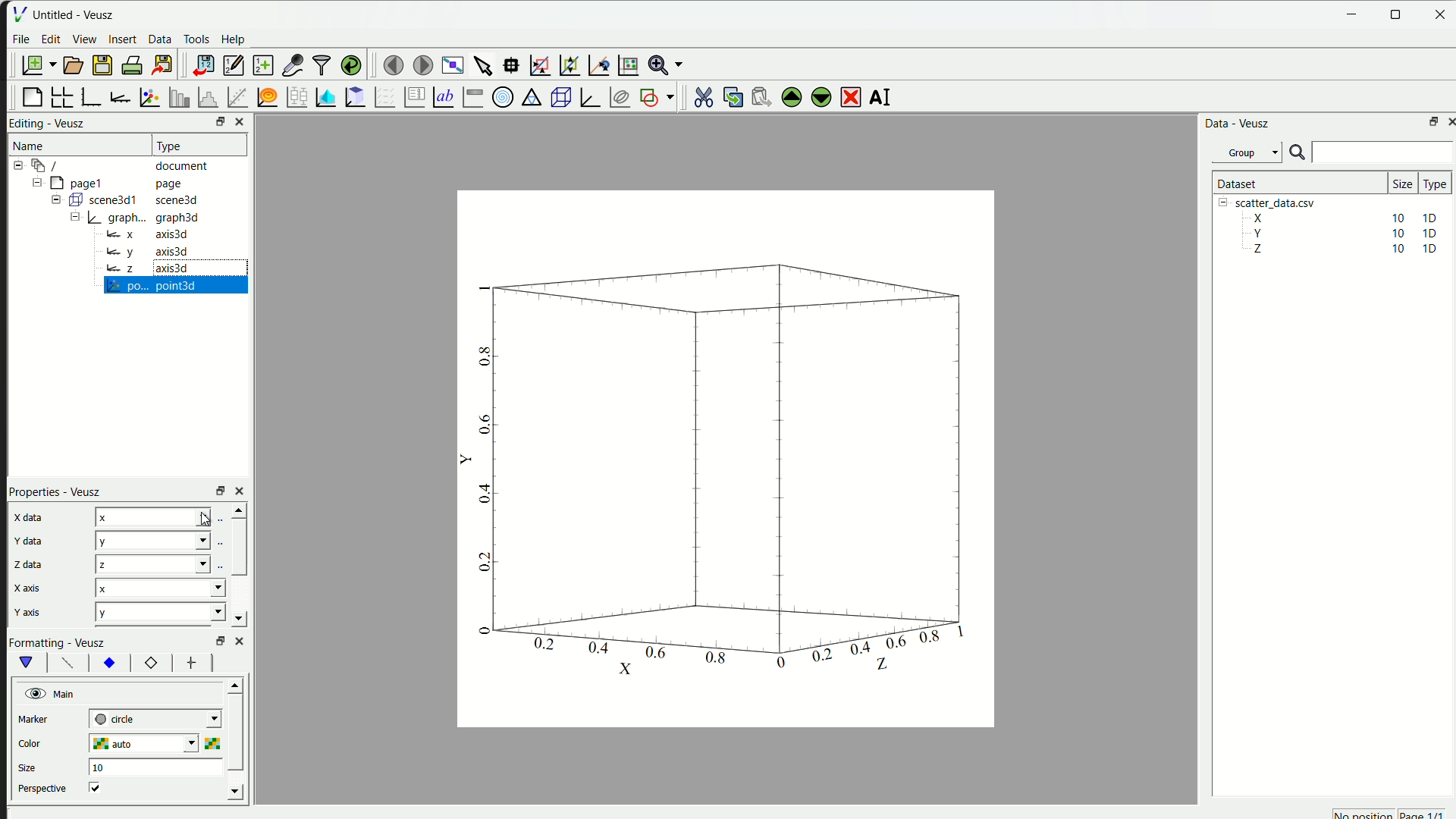 This screenshot has height=819, width=1456. Describe the element at coordinates (880, 96) in the screenshot. I see `rename the selected widget` at that location.